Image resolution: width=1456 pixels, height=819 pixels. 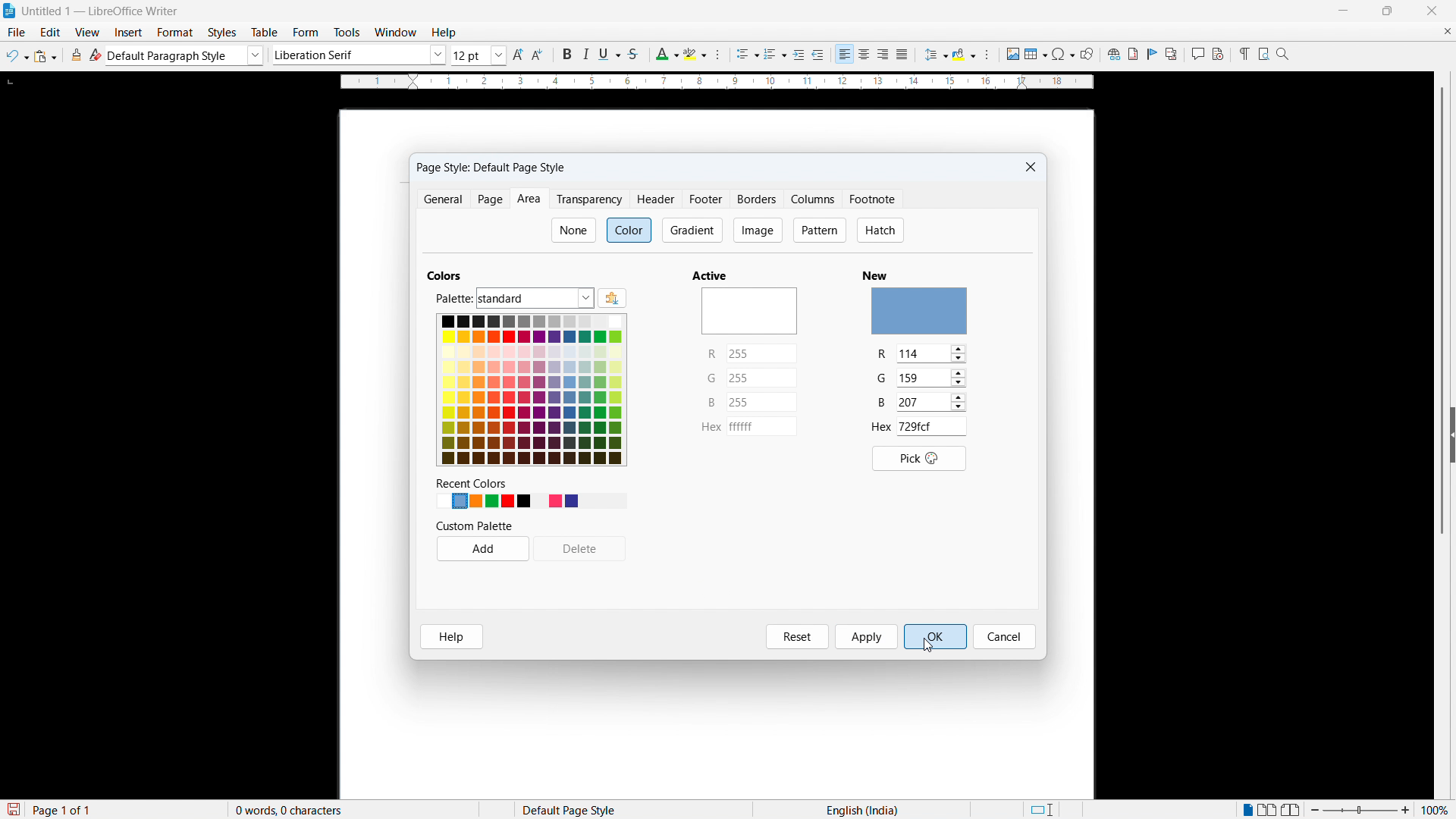 What do you see at coordinates (920, 459) in the screenshot?
I see `pick ` at bounding box center [920, 459].